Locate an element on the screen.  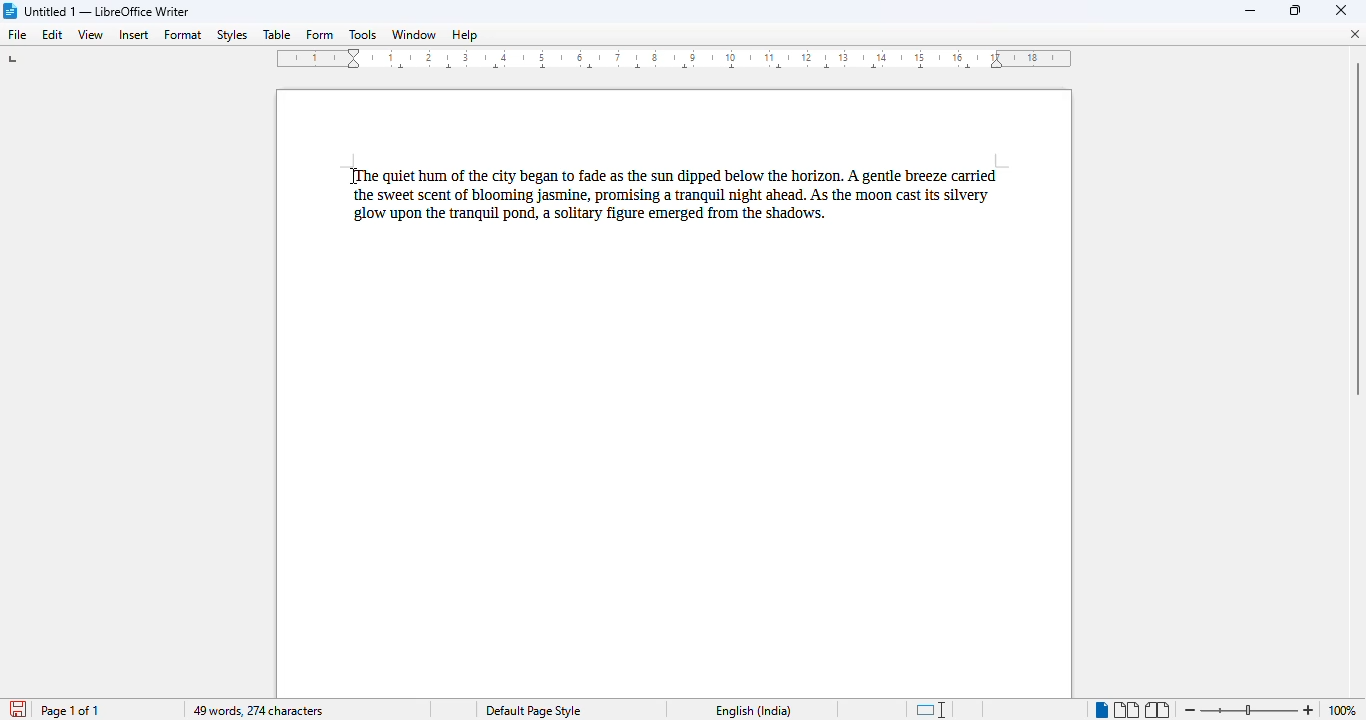
standard selection is located at coordinates (931, 709).